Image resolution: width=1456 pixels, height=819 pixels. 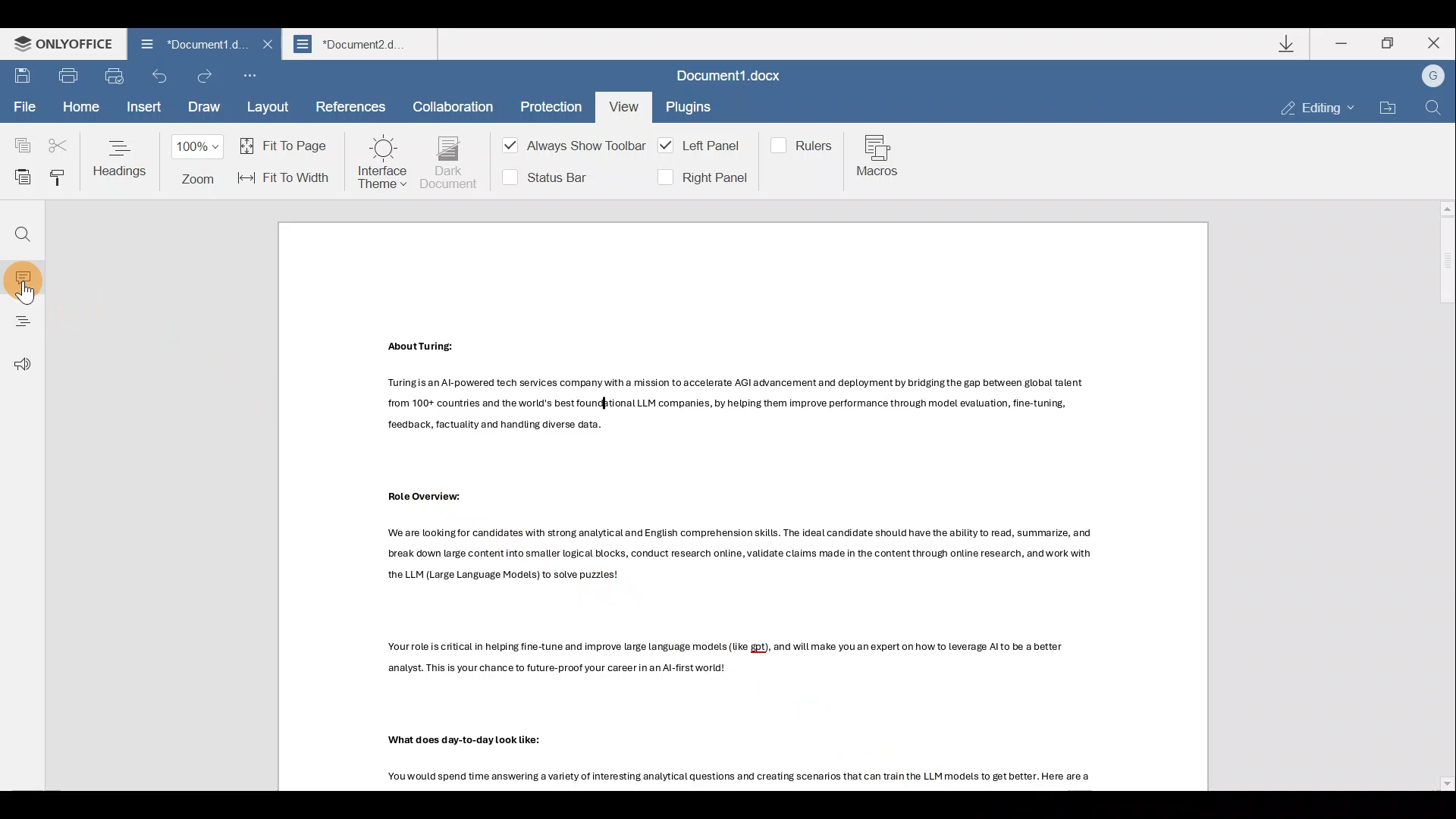 I want to click on Copy, so click(x=17, y=139).